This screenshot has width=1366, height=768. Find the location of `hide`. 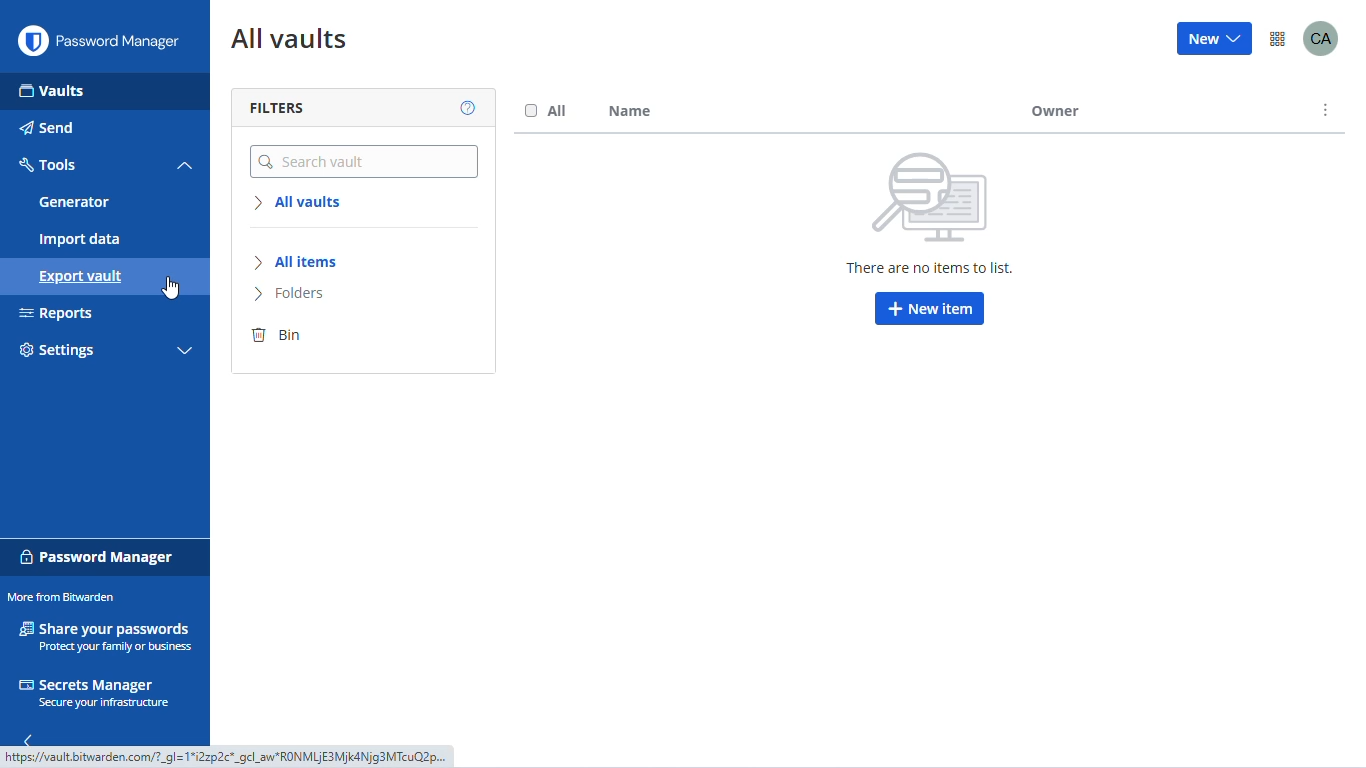

hide is located at coordinates (30, 738).